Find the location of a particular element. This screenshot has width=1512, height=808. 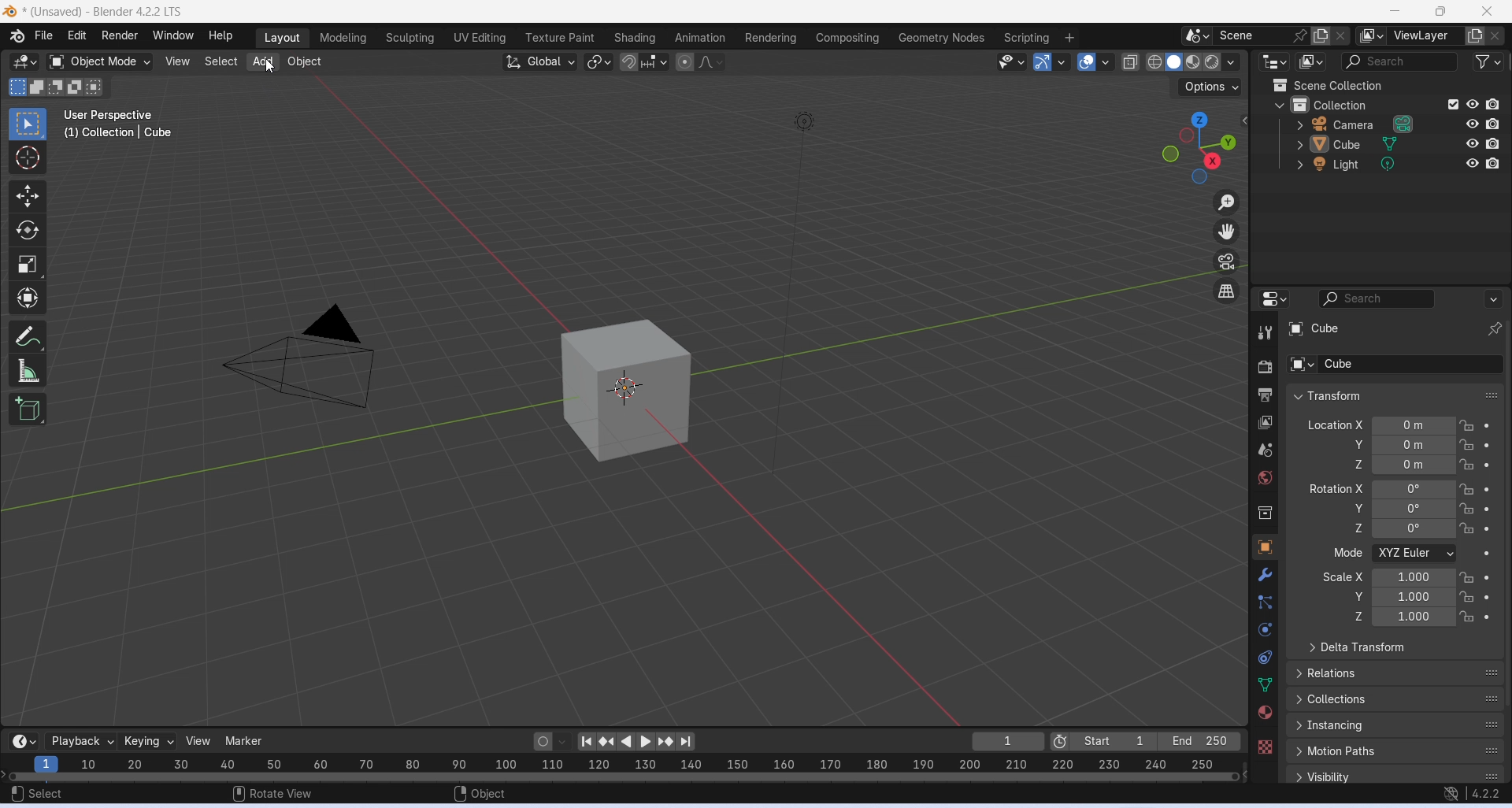

tool is located at coordinates (1266, 333).